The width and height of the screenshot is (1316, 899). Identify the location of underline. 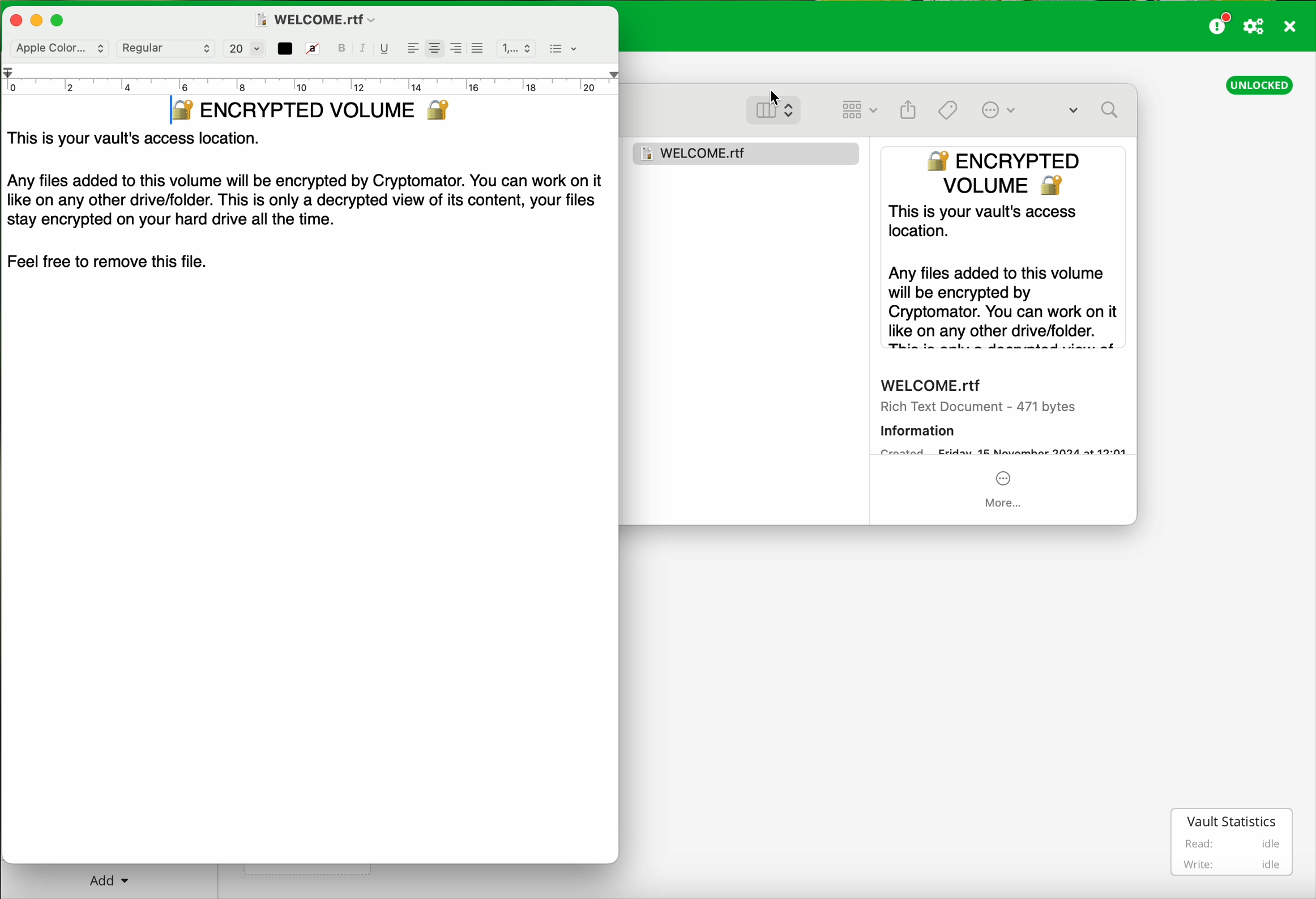
(385, 50).